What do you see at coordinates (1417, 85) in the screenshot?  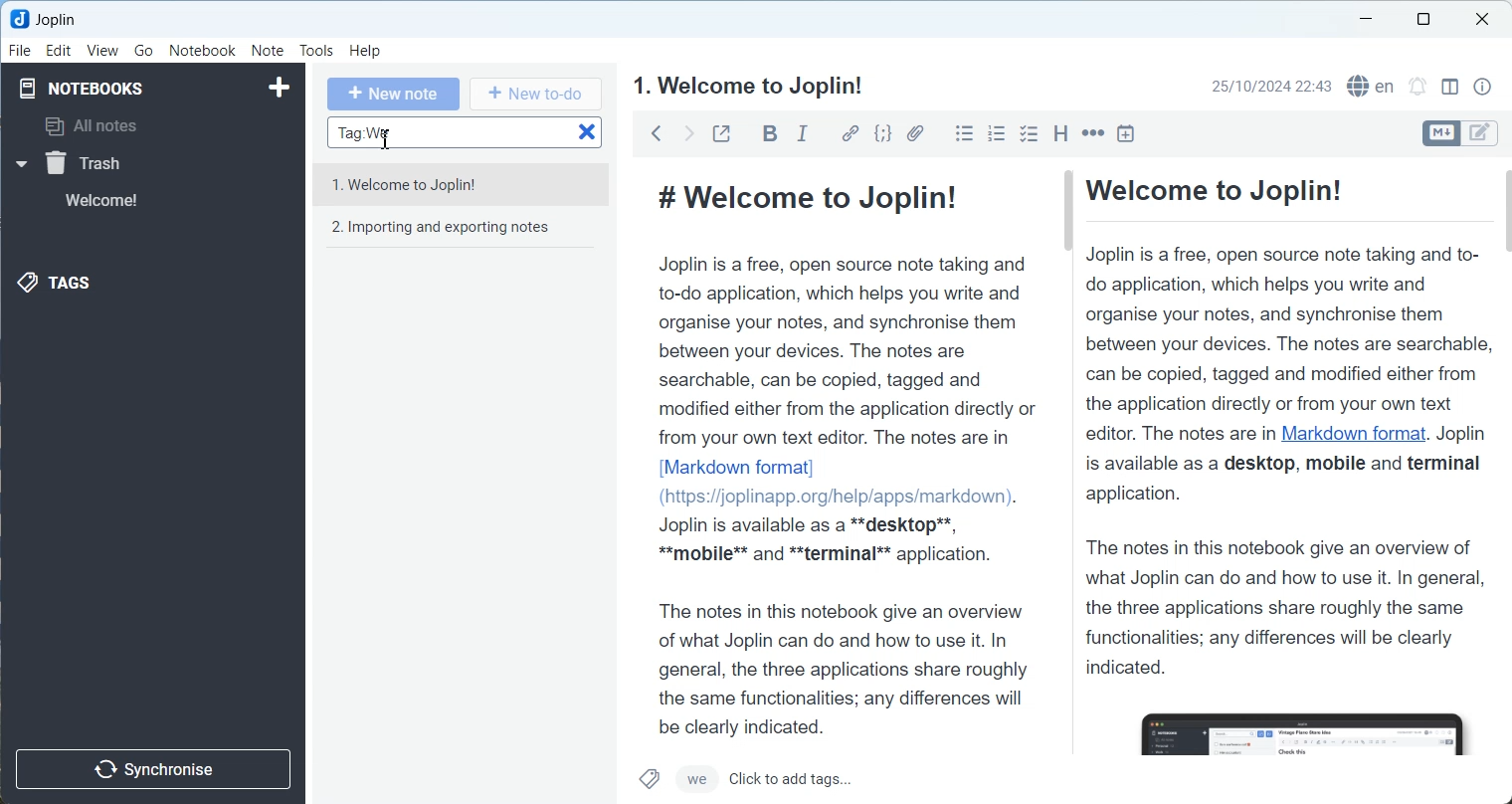 I see `Set alarm` at bounding box center [1417, 85].